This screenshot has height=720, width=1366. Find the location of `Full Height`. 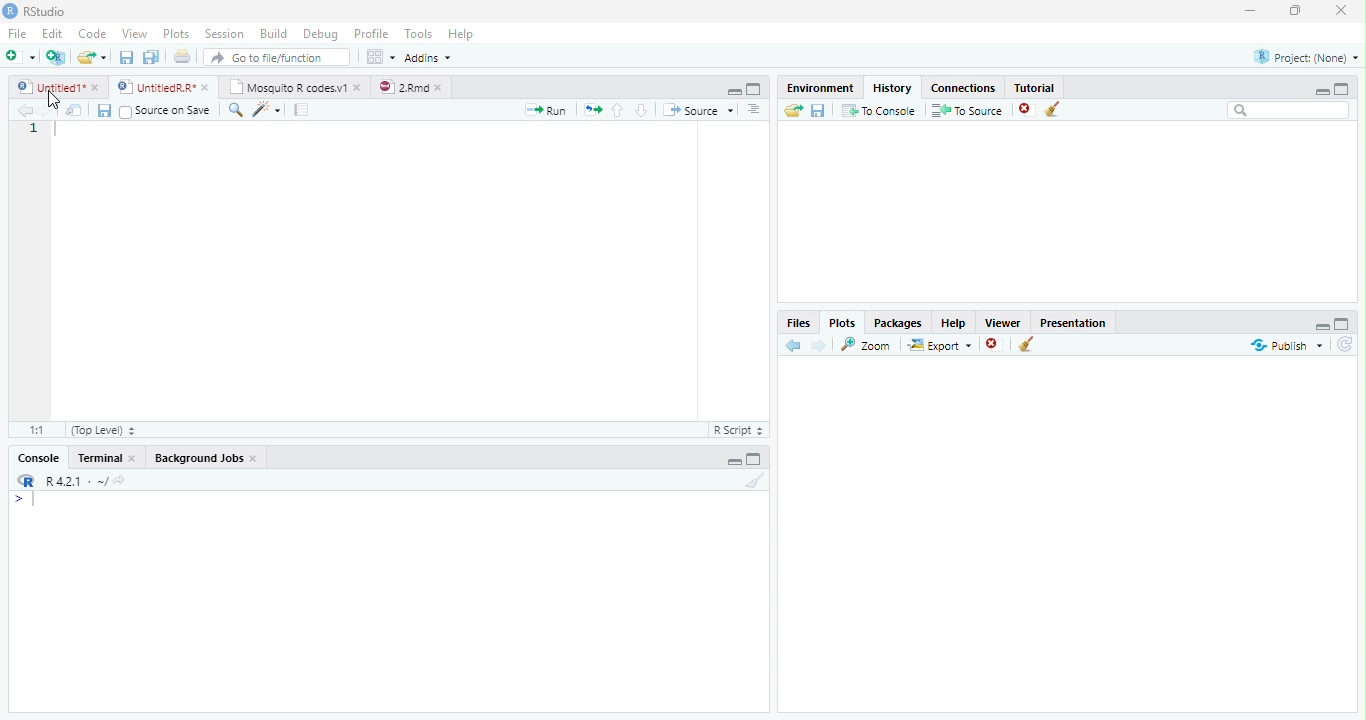

Full Height is located at coordinates (1344, 89).